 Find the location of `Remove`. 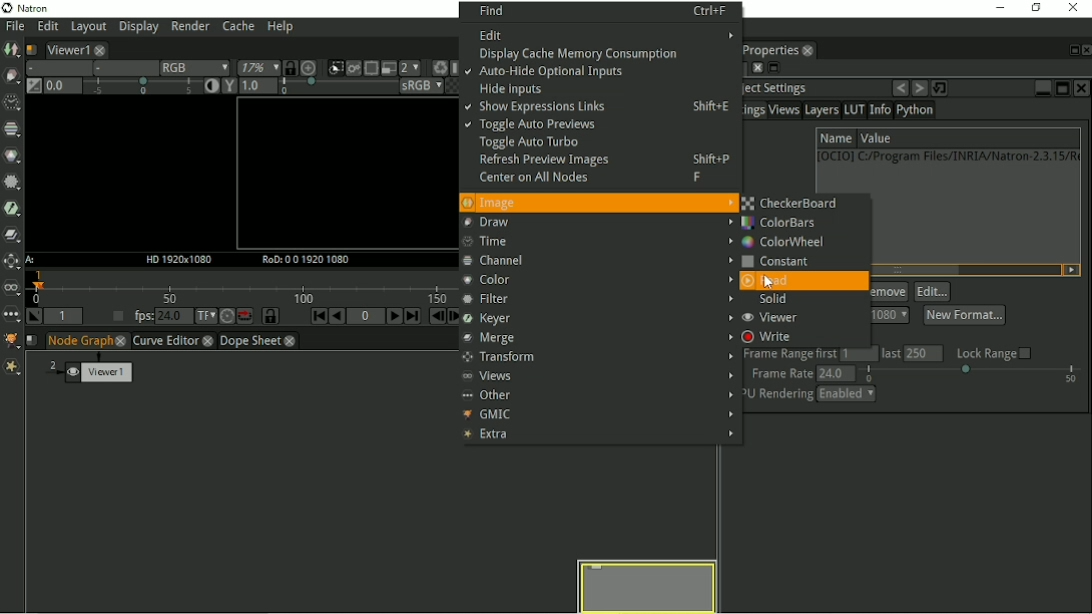

Remove is located at coordinates (889, 292).